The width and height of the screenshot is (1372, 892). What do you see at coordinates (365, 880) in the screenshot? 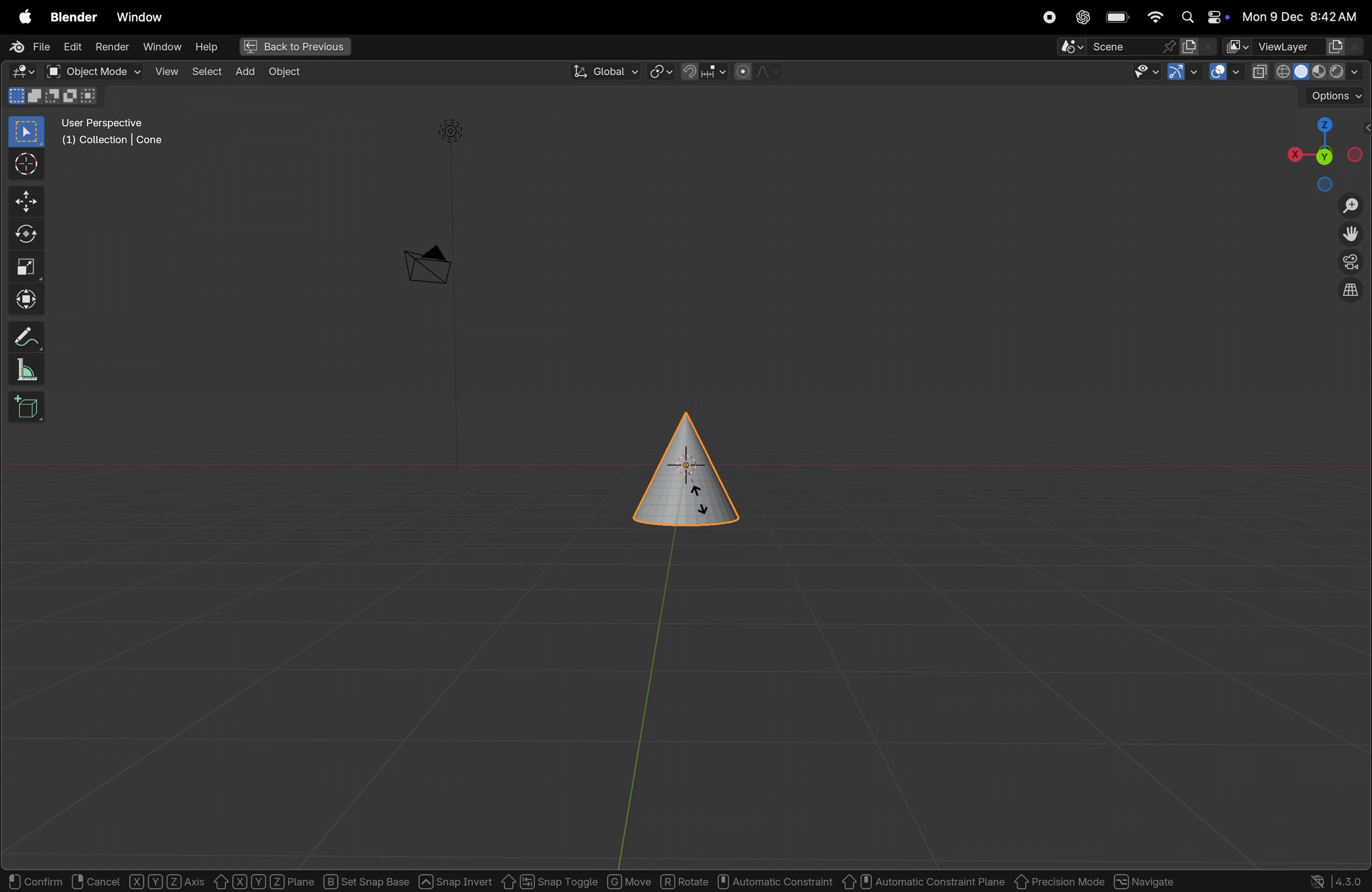
I see `sec snap base` at bounding box center [365, 880].